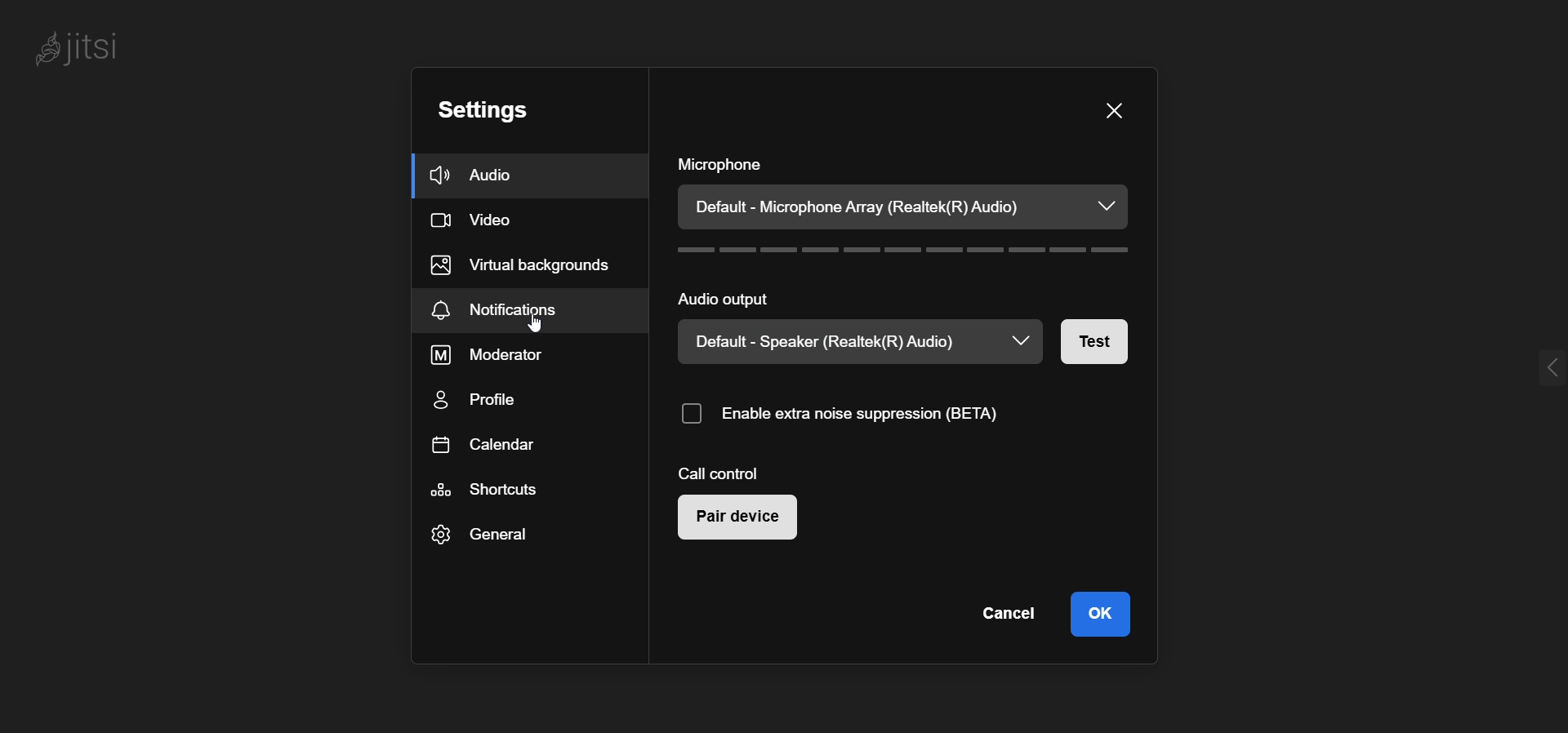  I want to click on expand, so click(1544, 371).